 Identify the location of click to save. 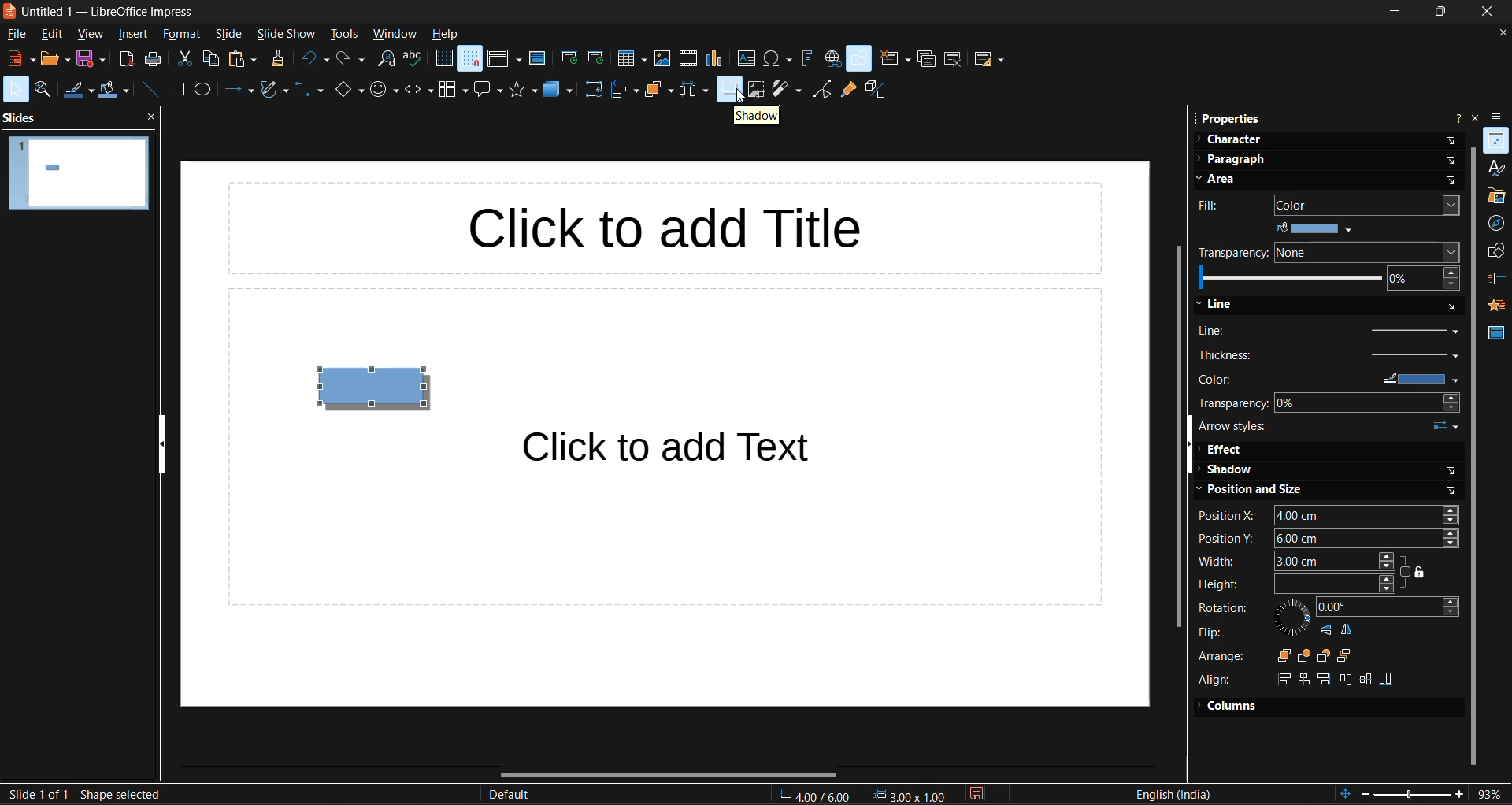
(984, 794).